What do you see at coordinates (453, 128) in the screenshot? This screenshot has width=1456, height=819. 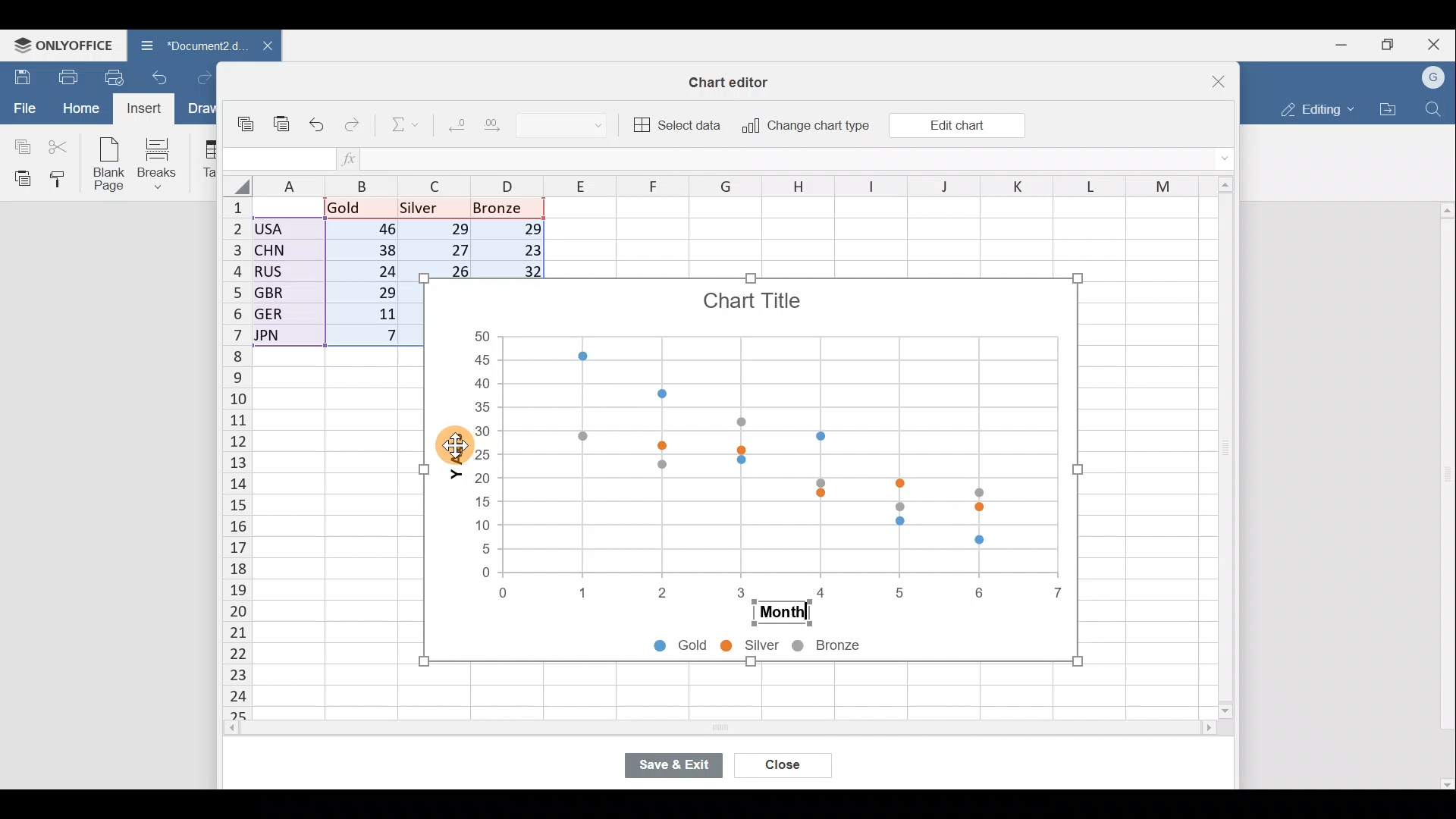 I see `Decrease decimal` at bounding box center [453, 128].